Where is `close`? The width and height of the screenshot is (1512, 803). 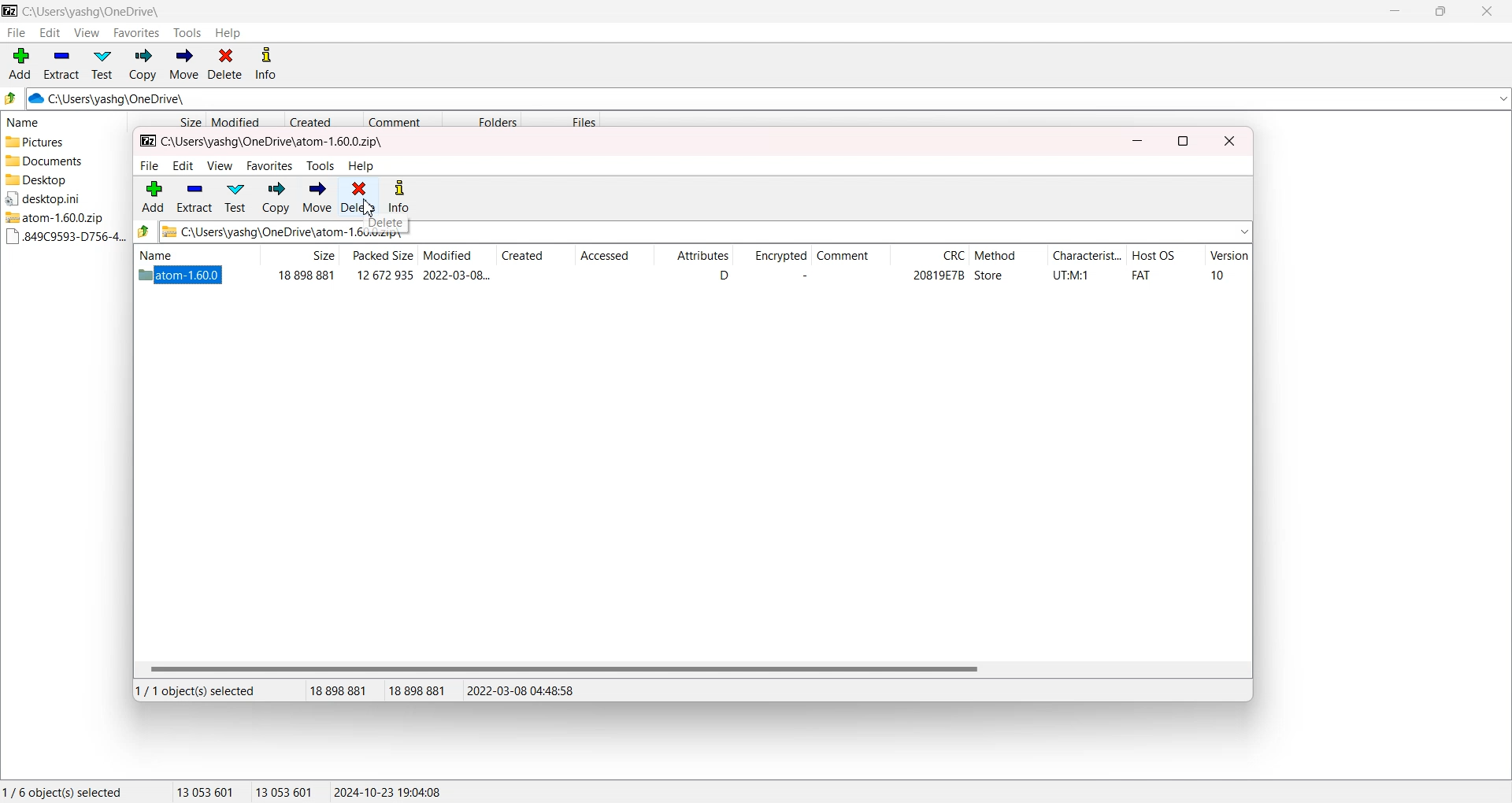 close is located at coordinates (1230, 142).